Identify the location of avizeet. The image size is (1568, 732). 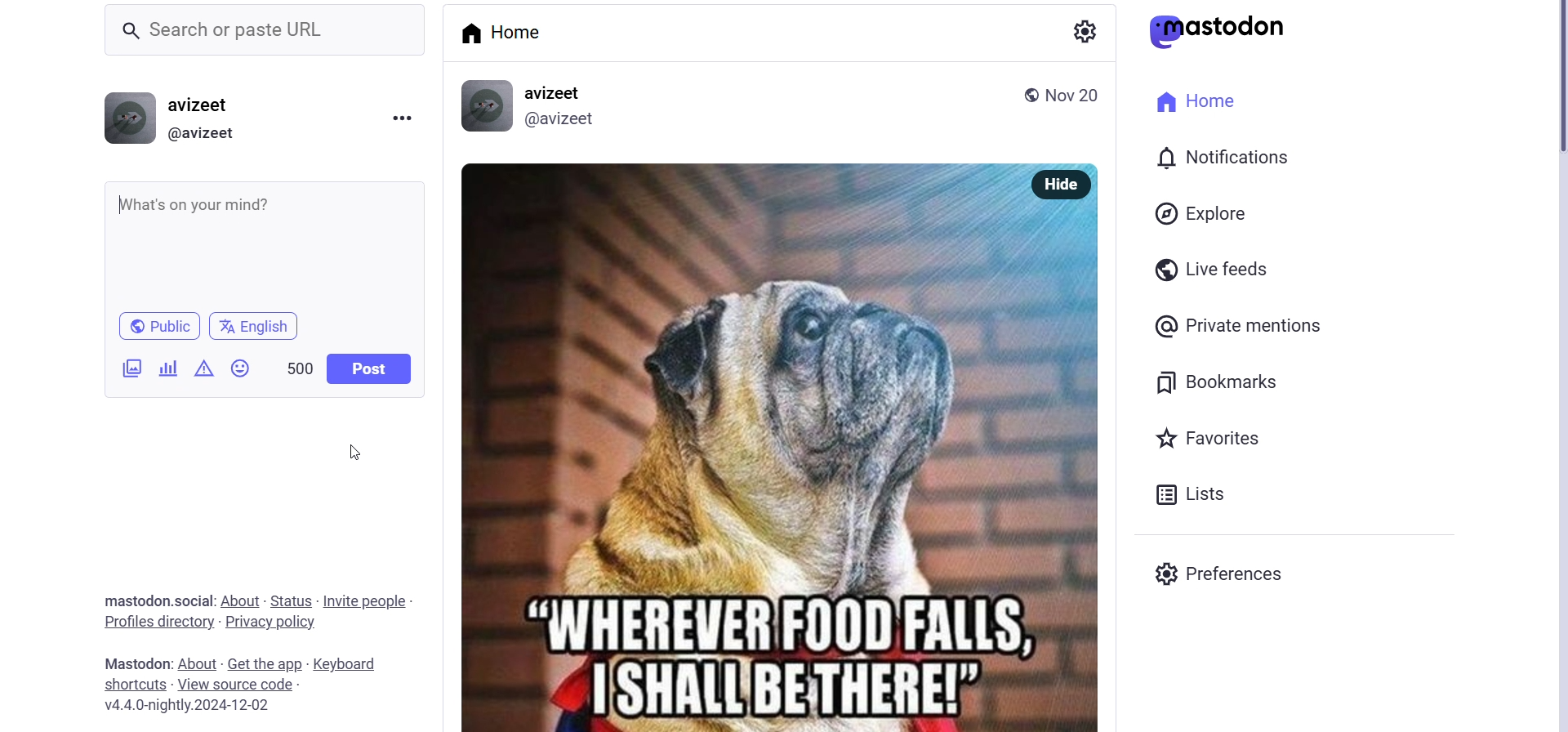
(204, 107).